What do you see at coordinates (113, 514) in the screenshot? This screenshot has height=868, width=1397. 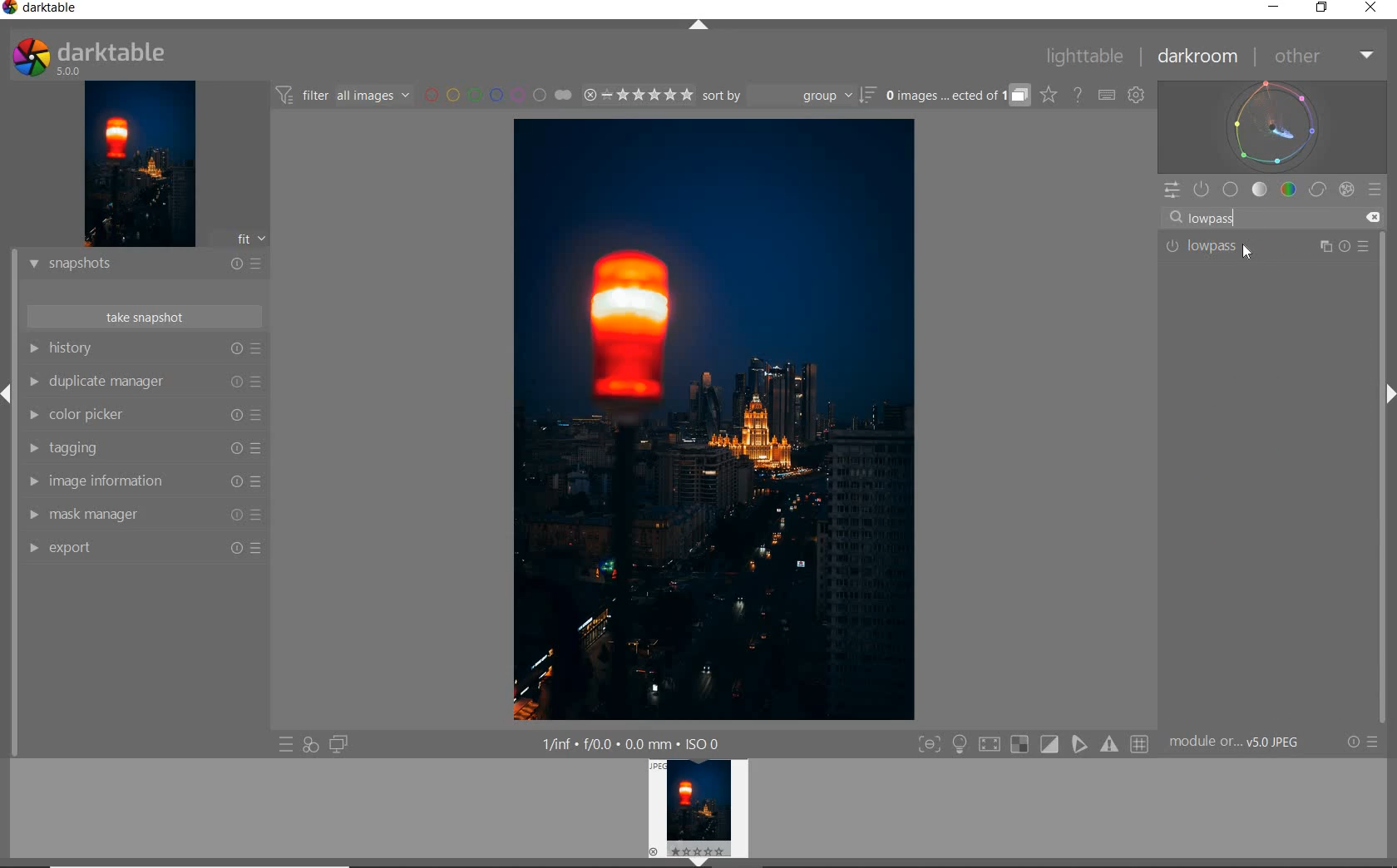 I see `MASK MANAGER` at bounding box center [113, 514].